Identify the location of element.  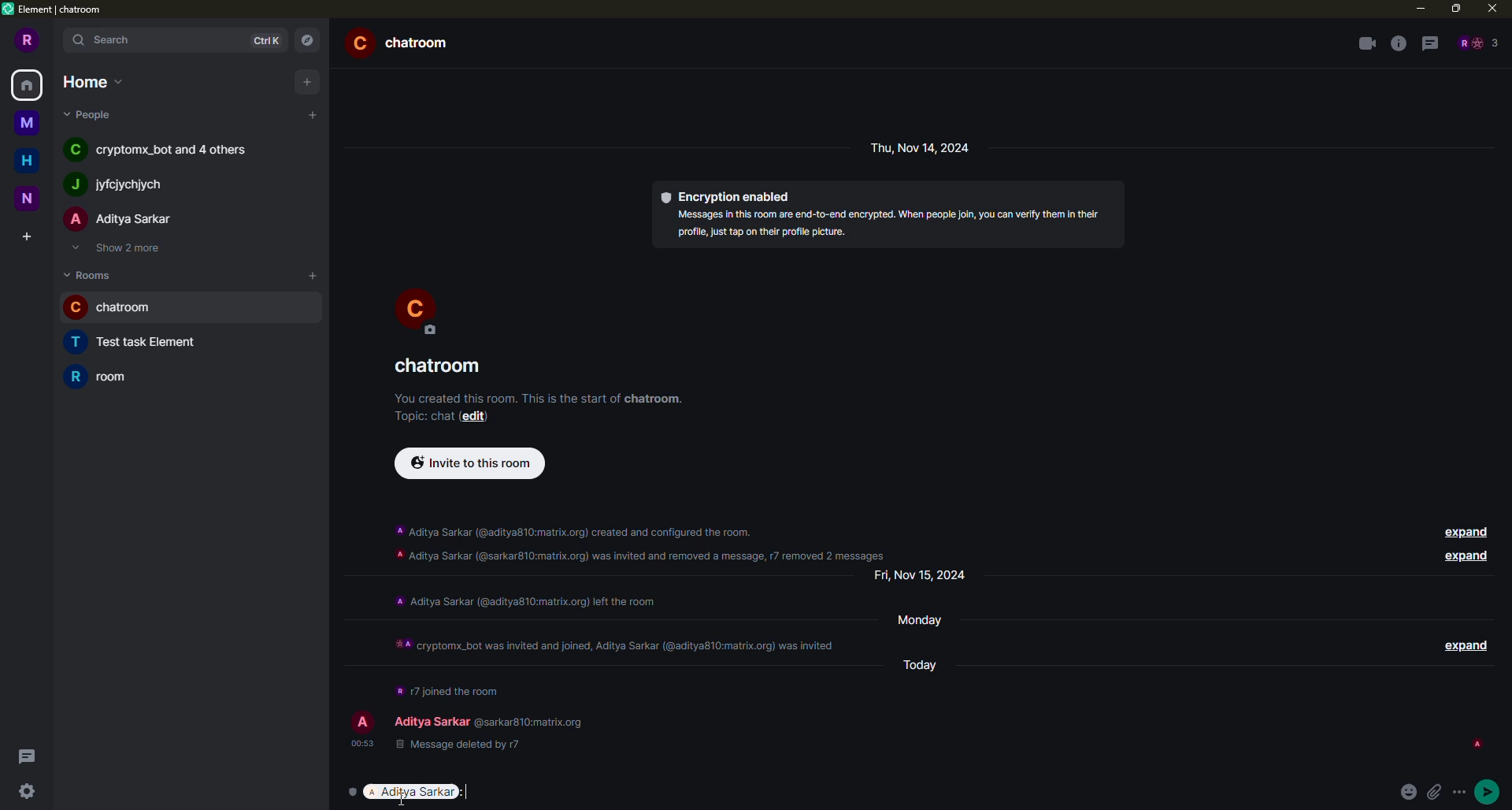
(57, 11).